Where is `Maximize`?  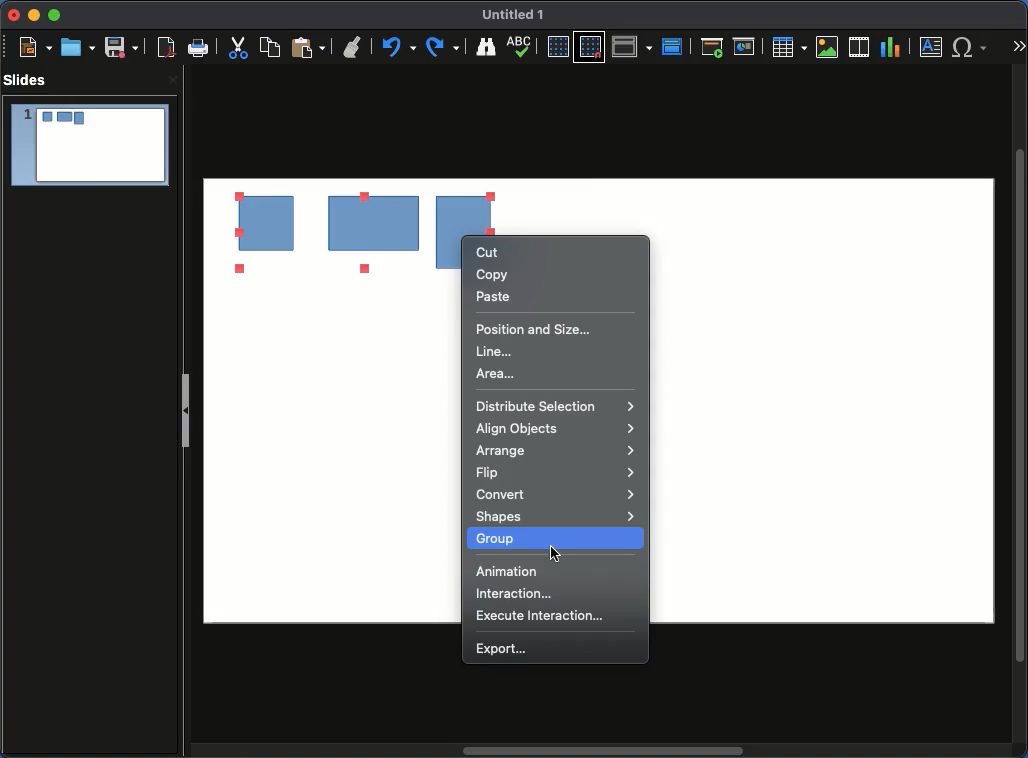
Maximize is located at coordinates (53, 15).